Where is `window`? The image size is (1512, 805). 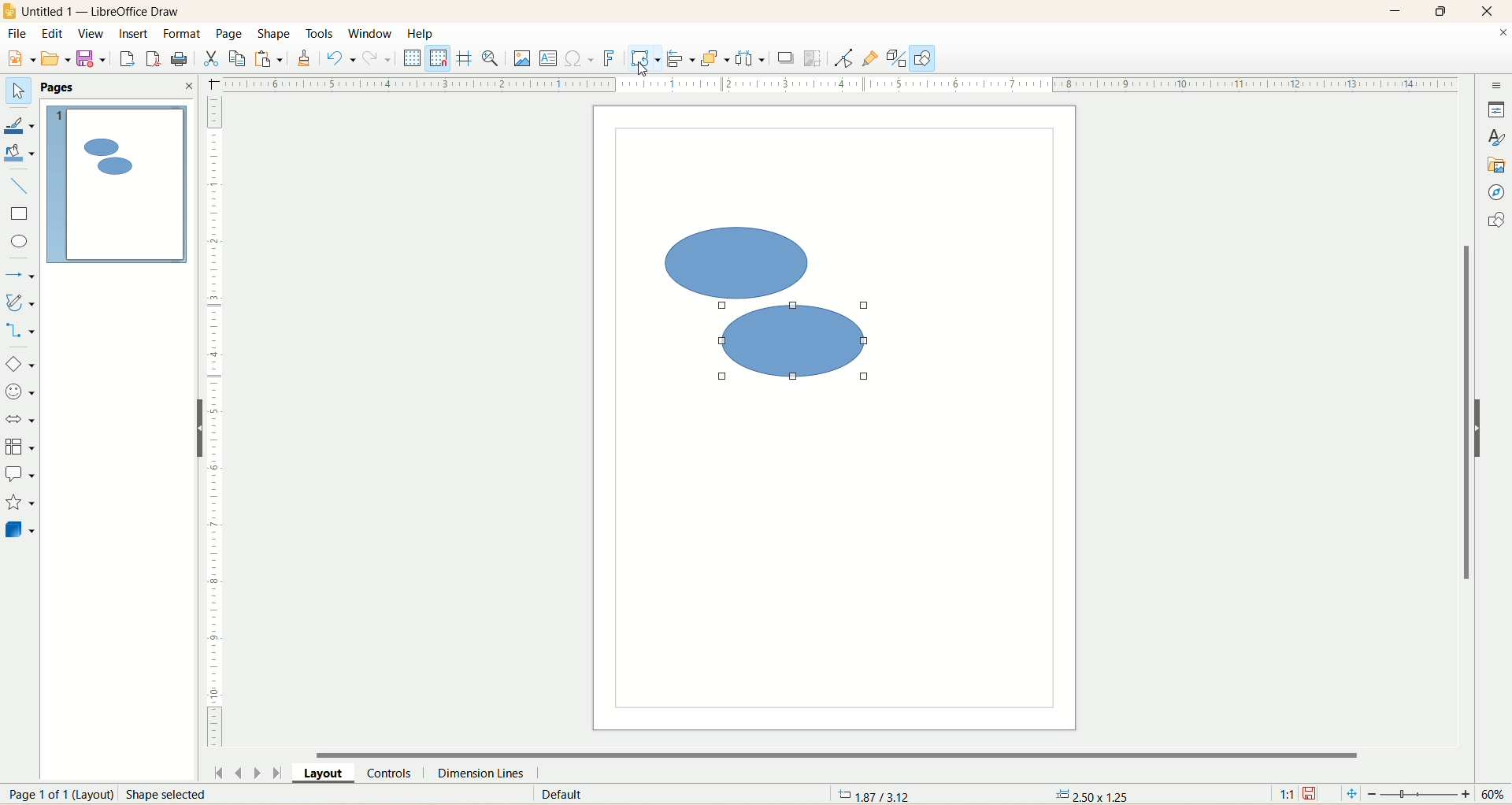
window is located at coordinates (371, 35).